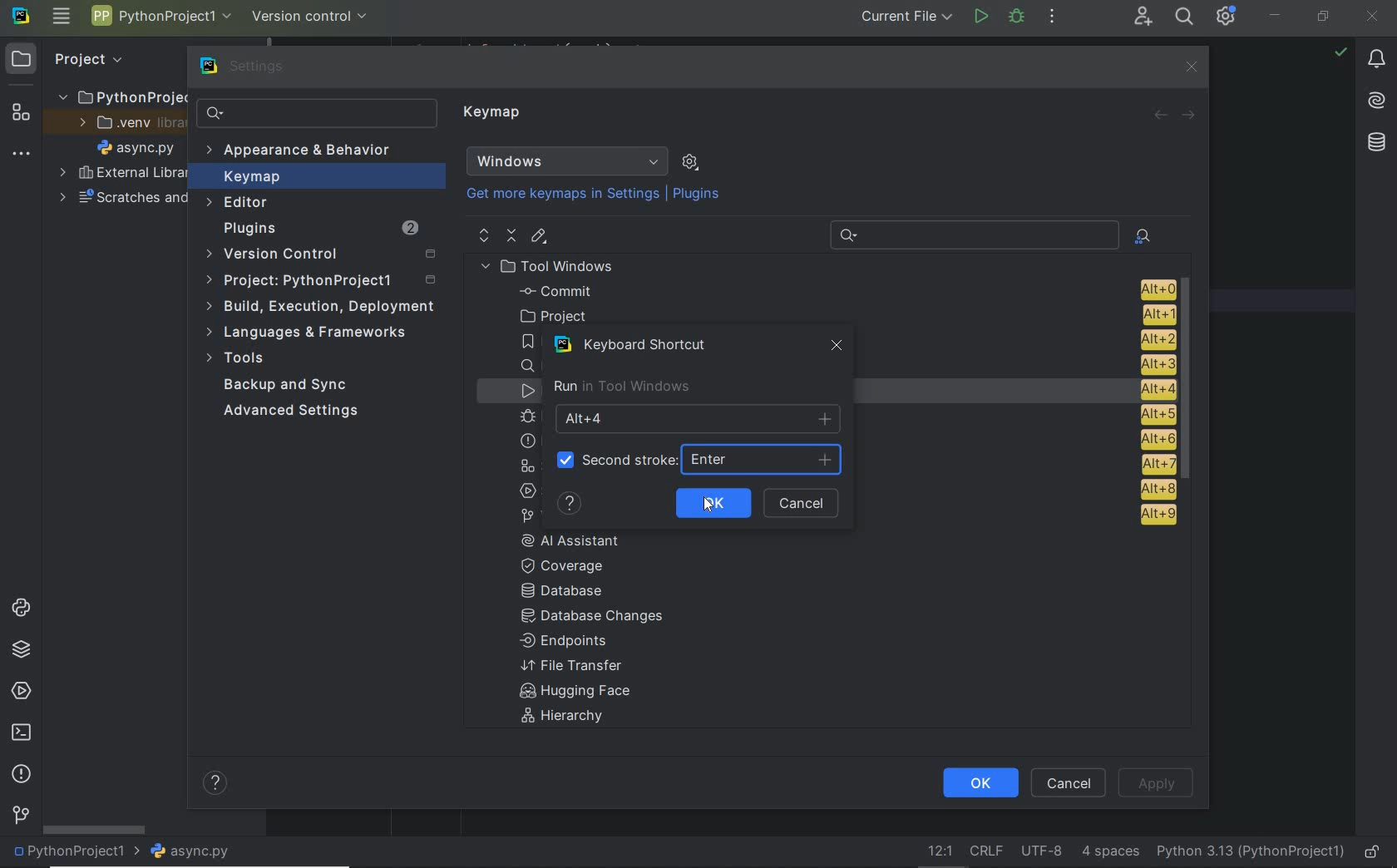  I want to click on restore down, so click(1324, 17).